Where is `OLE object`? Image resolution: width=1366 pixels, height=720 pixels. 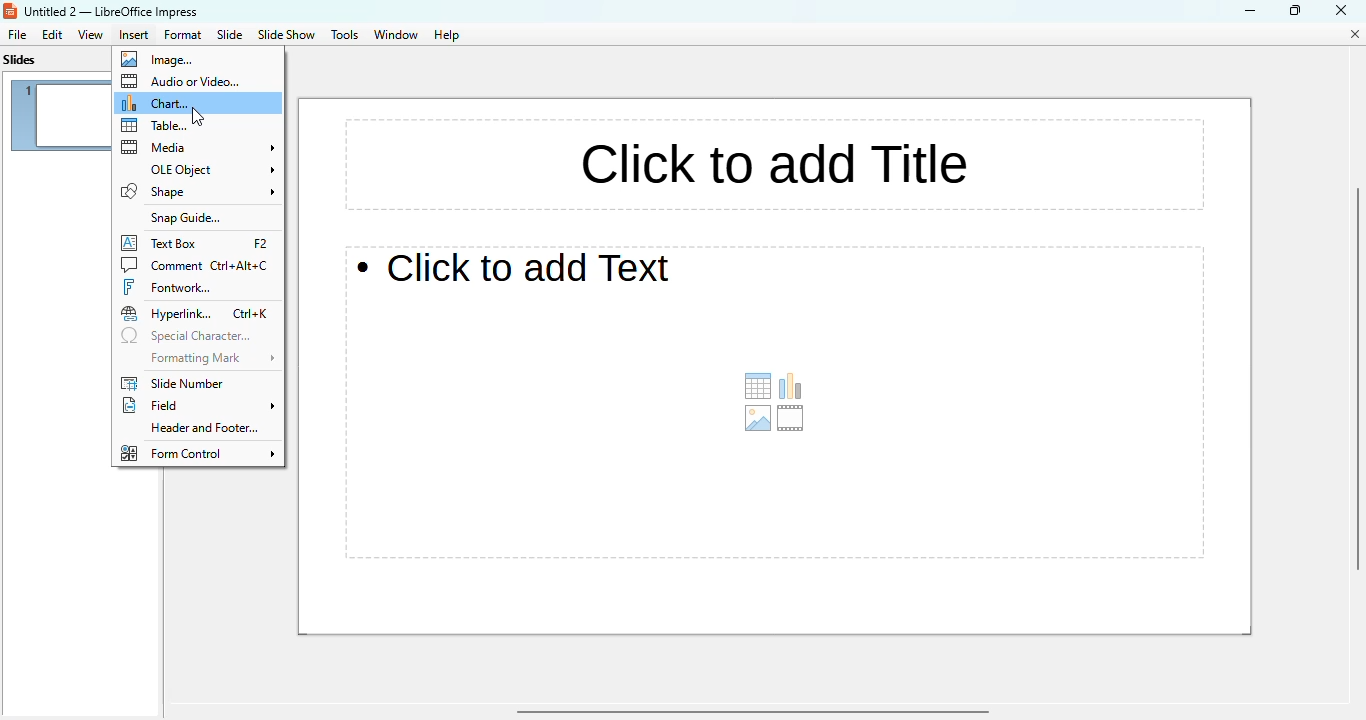 OLE object is located at coordinates (213, 169).